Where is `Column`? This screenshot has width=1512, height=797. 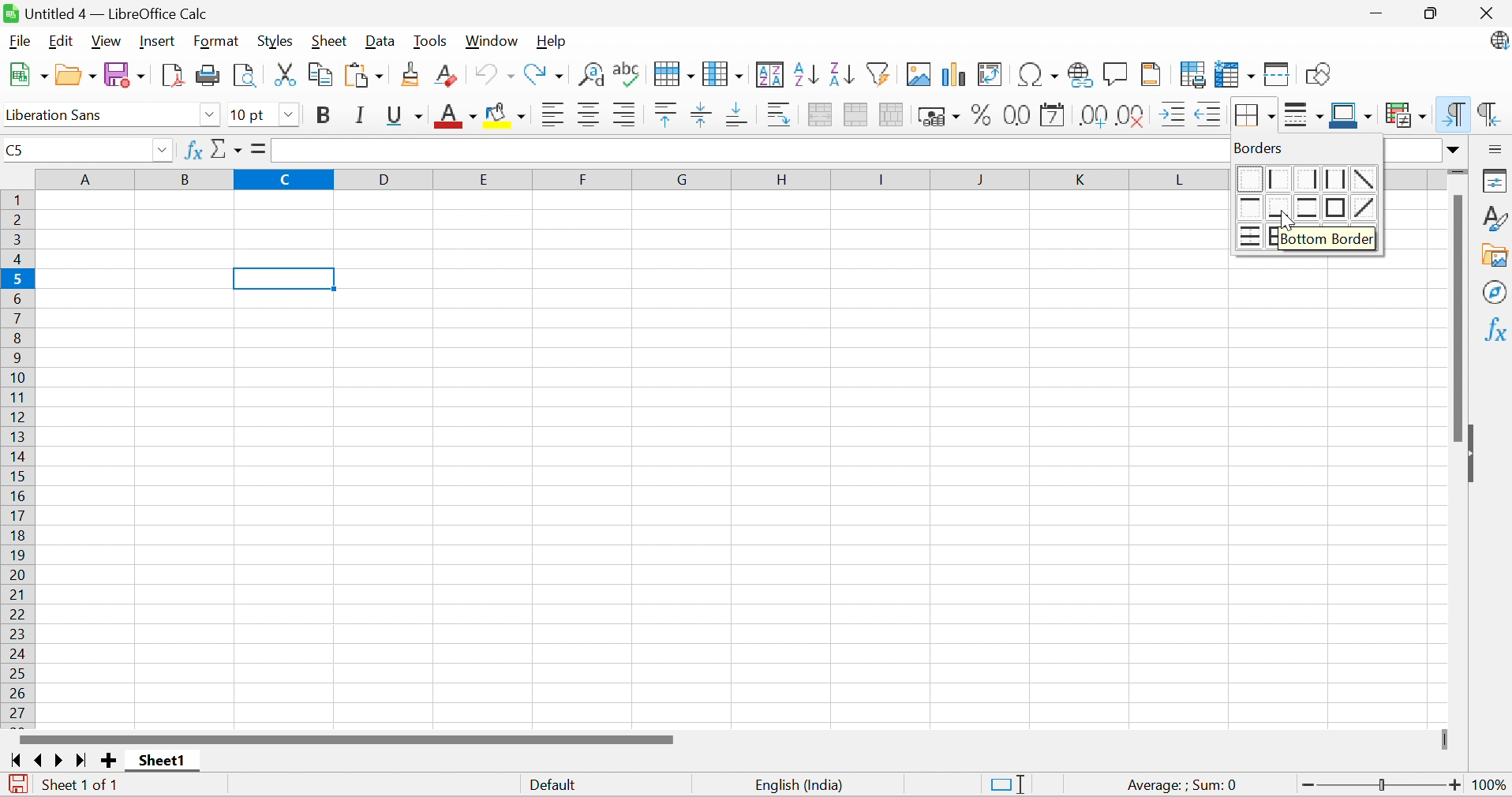 Column is located at coordinates (723, 73).